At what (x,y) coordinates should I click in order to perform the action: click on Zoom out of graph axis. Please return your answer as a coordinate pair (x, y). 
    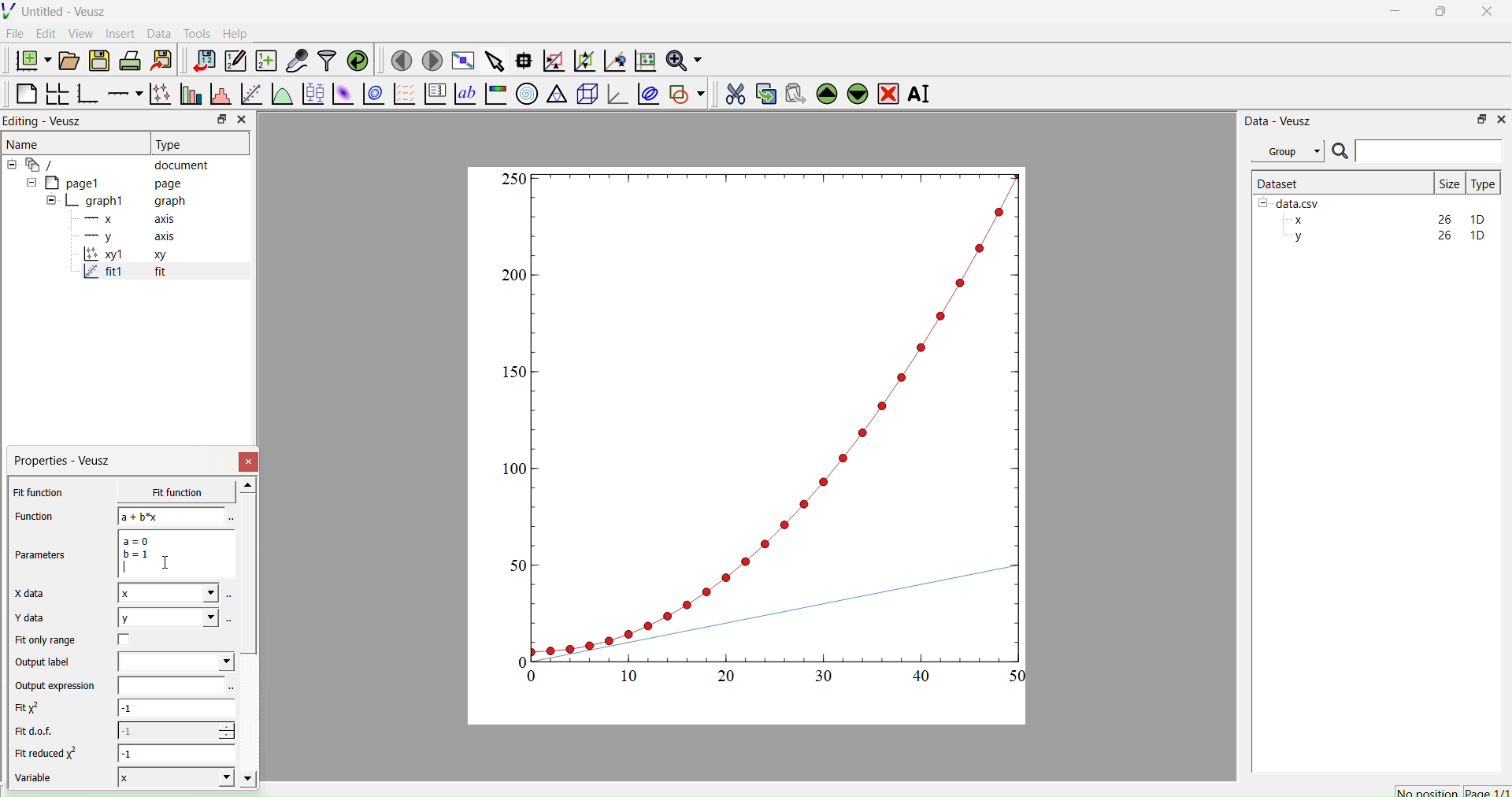
    Looking at the image, I should click on (583, 59).